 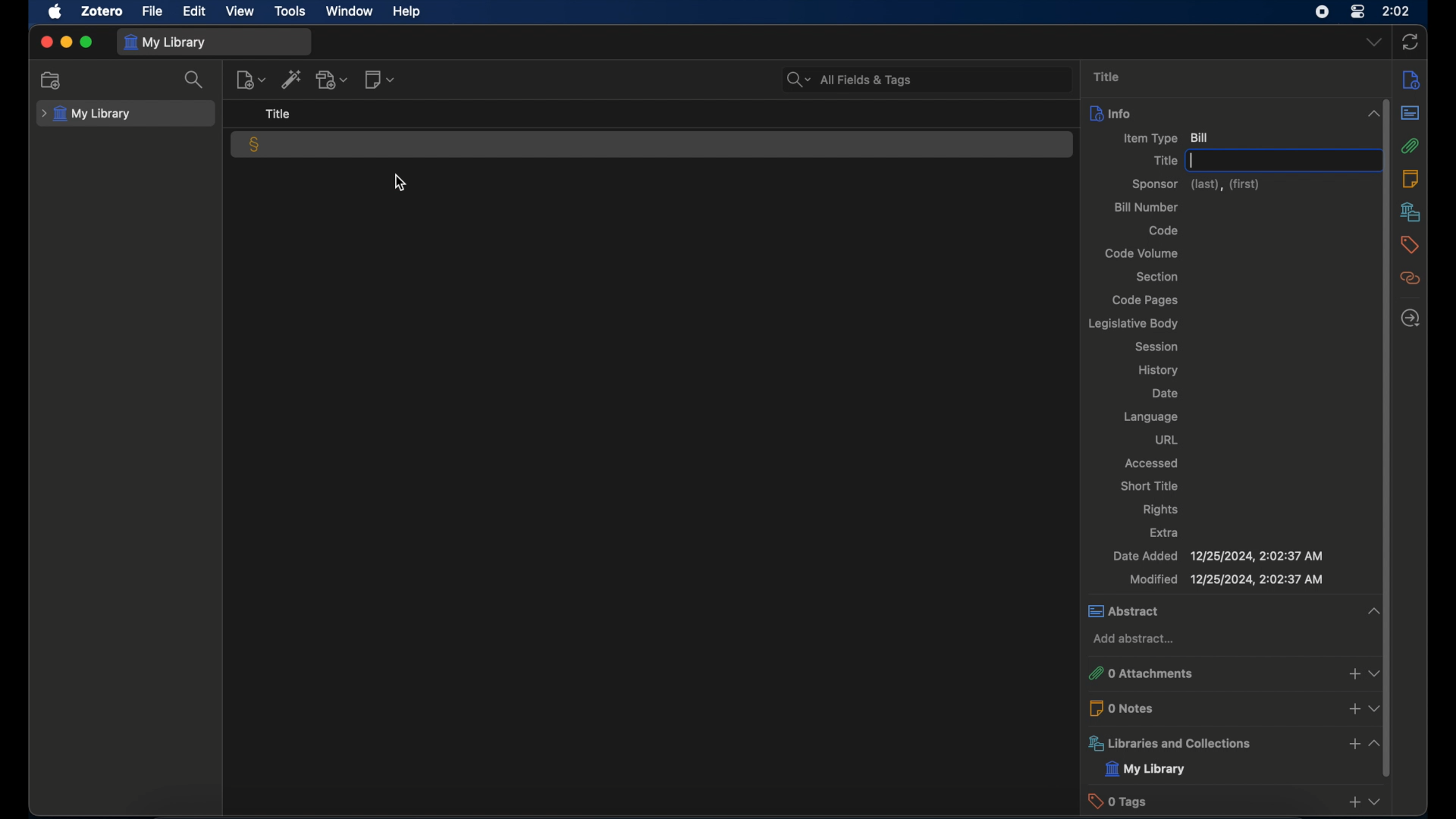 I want to click on new notes, so click(x=251, y=80).